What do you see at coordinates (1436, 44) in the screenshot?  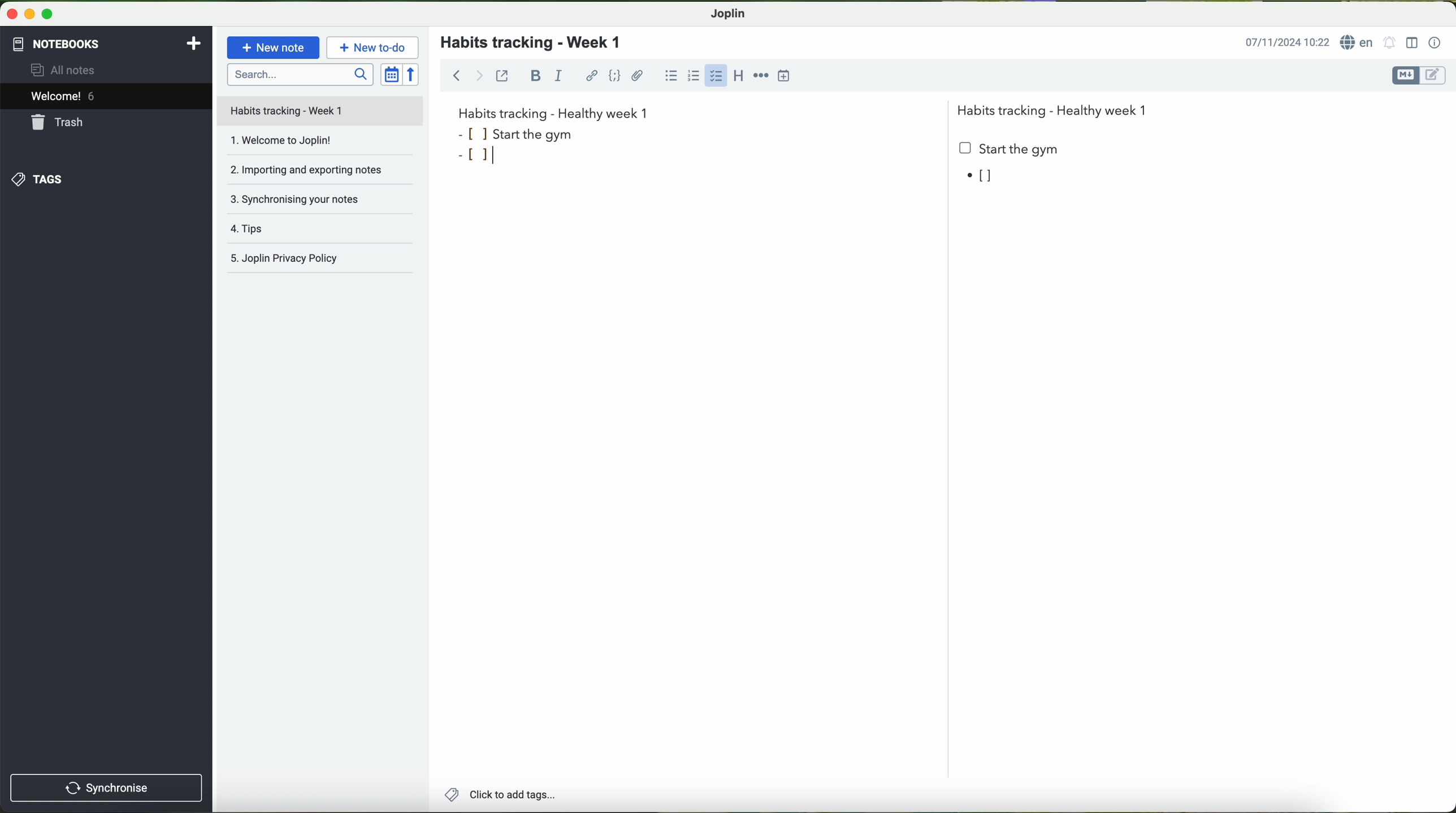 I see `note properties` at bounding box center [1436, 44].